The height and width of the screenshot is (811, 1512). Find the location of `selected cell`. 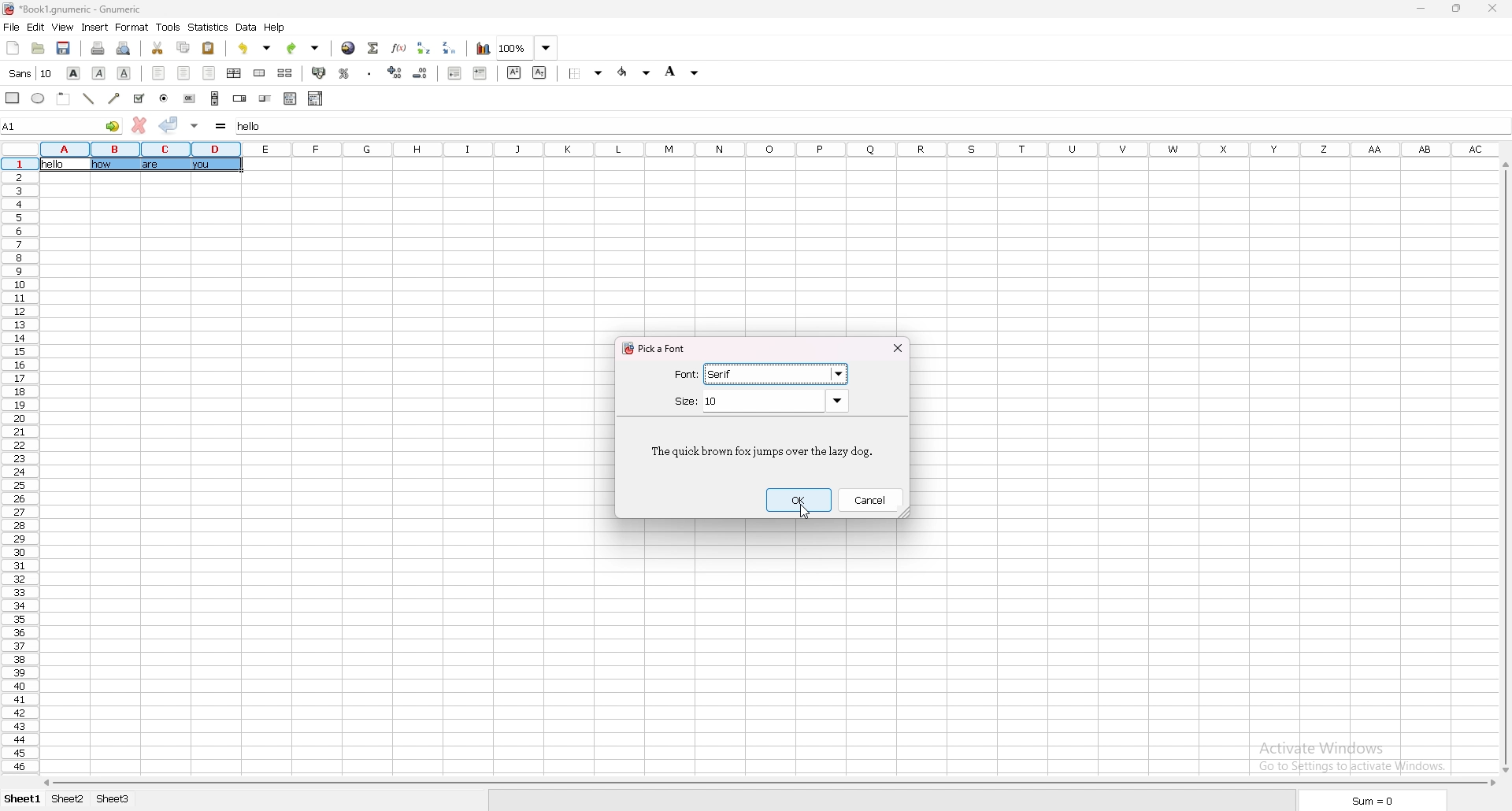

selected cell is located at coordinates (61, 125).